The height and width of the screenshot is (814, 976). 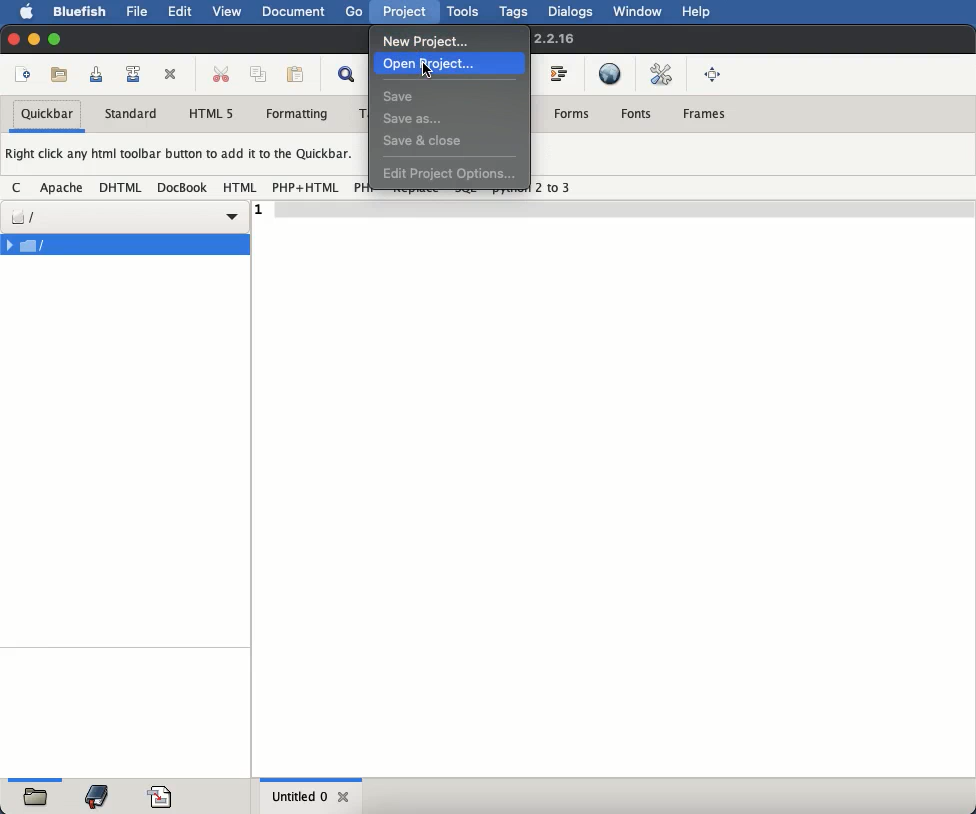 I want to click on view, so click(x=226, y=14).